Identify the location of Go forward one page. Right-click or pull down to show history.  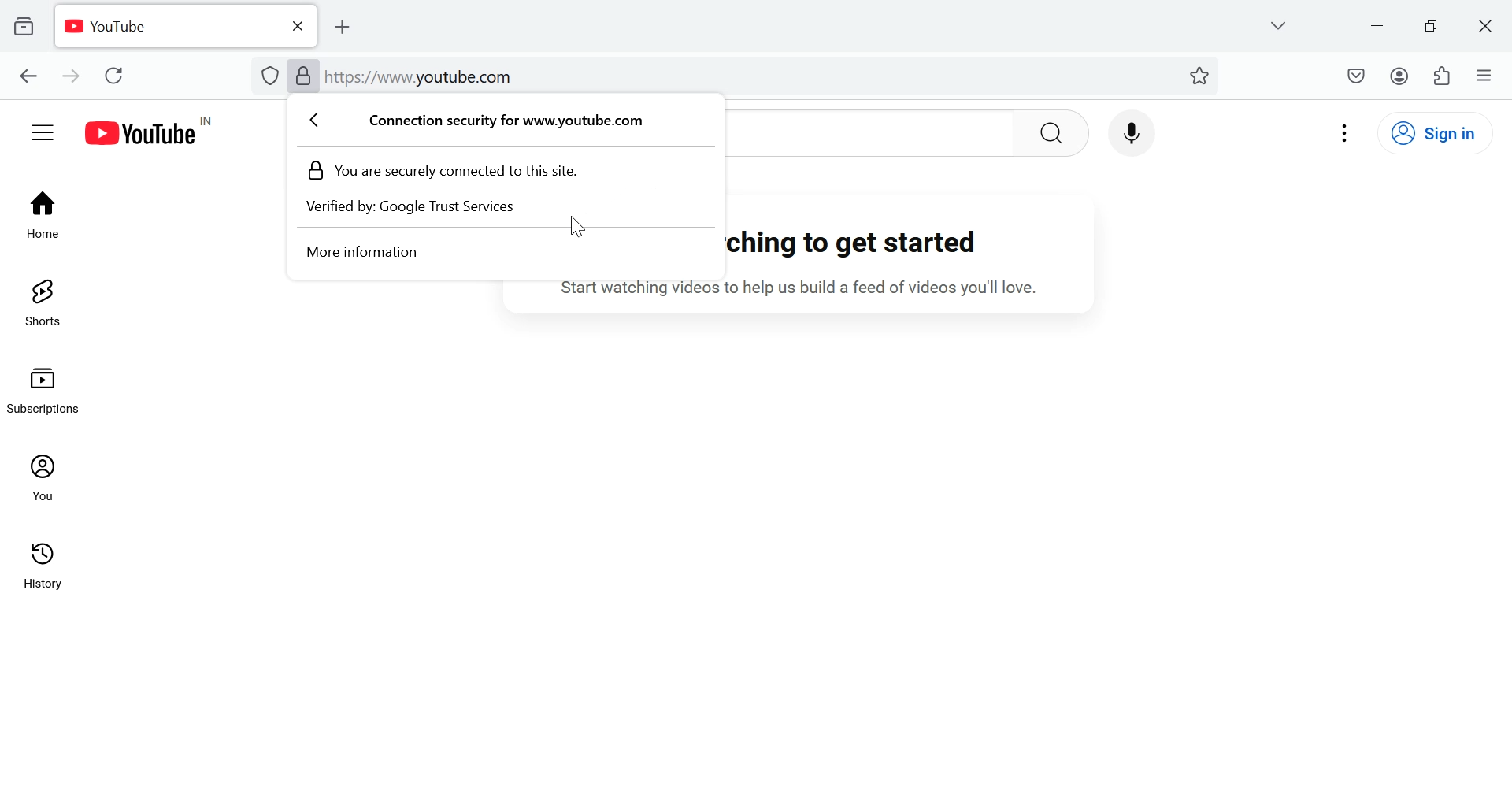
(69, 75).